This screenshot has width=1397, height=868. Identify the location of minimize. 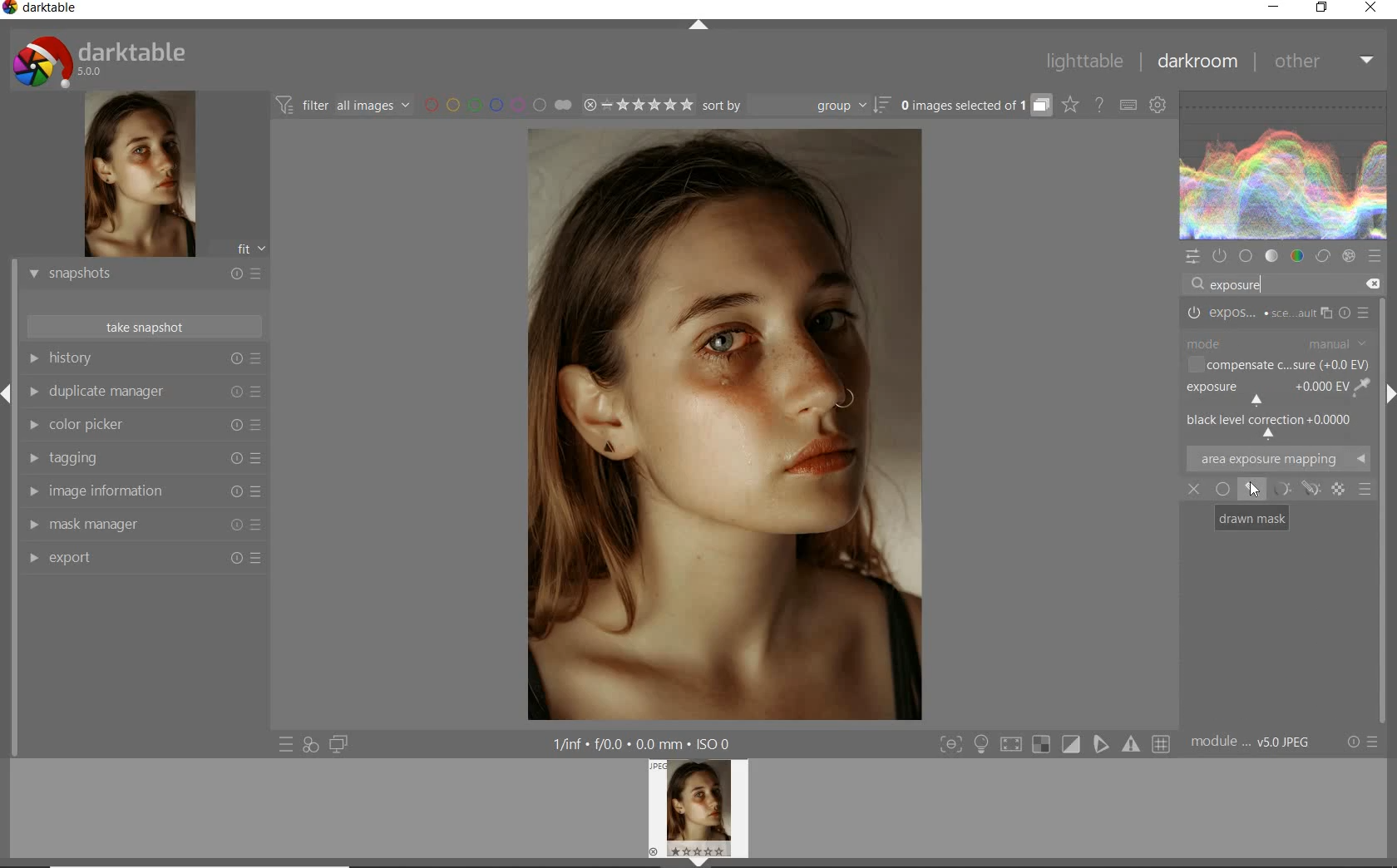
(1273, 7).